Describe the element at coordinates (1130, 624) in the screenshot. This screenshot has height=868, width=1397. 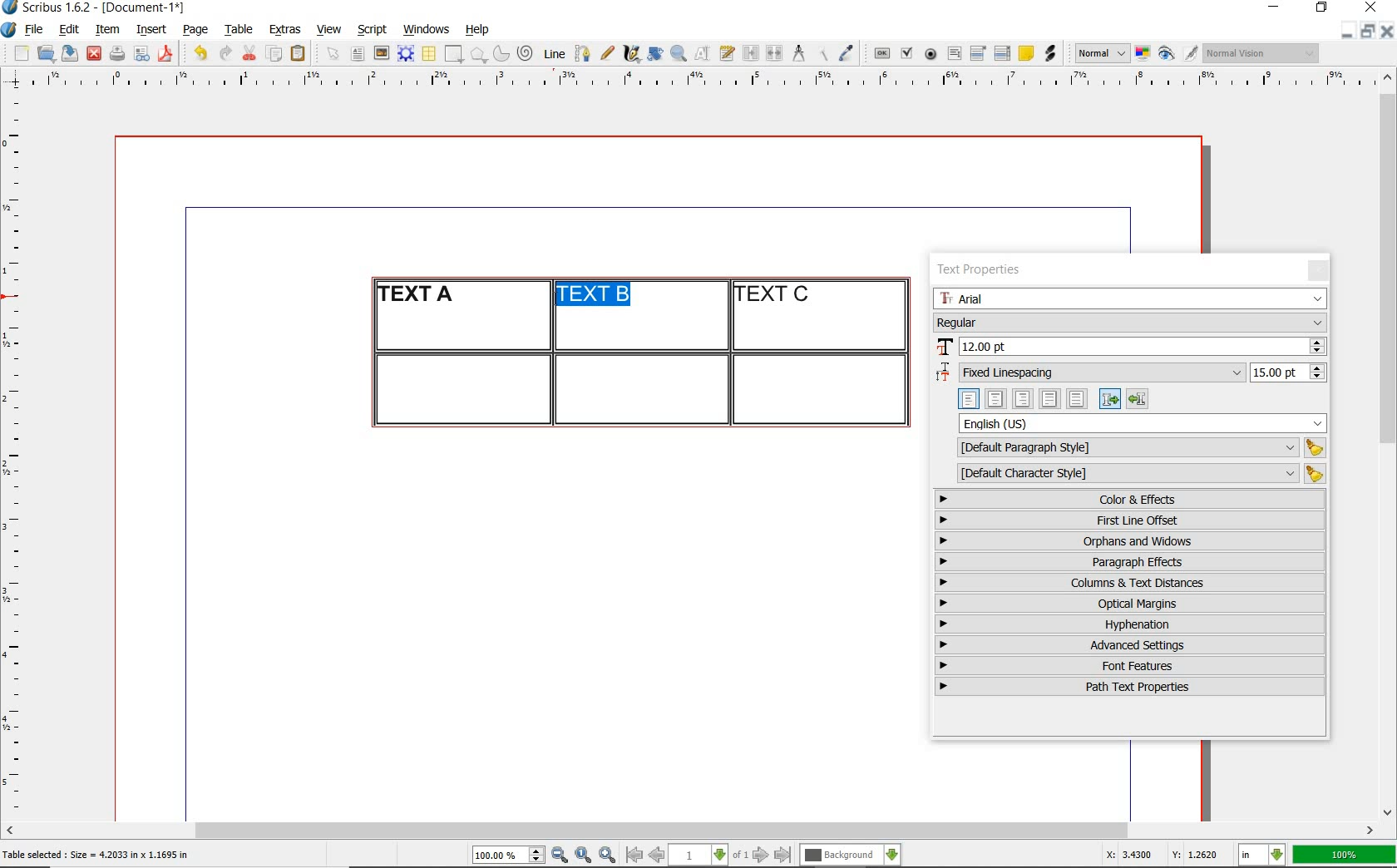
I see `hyphenation` at that location.